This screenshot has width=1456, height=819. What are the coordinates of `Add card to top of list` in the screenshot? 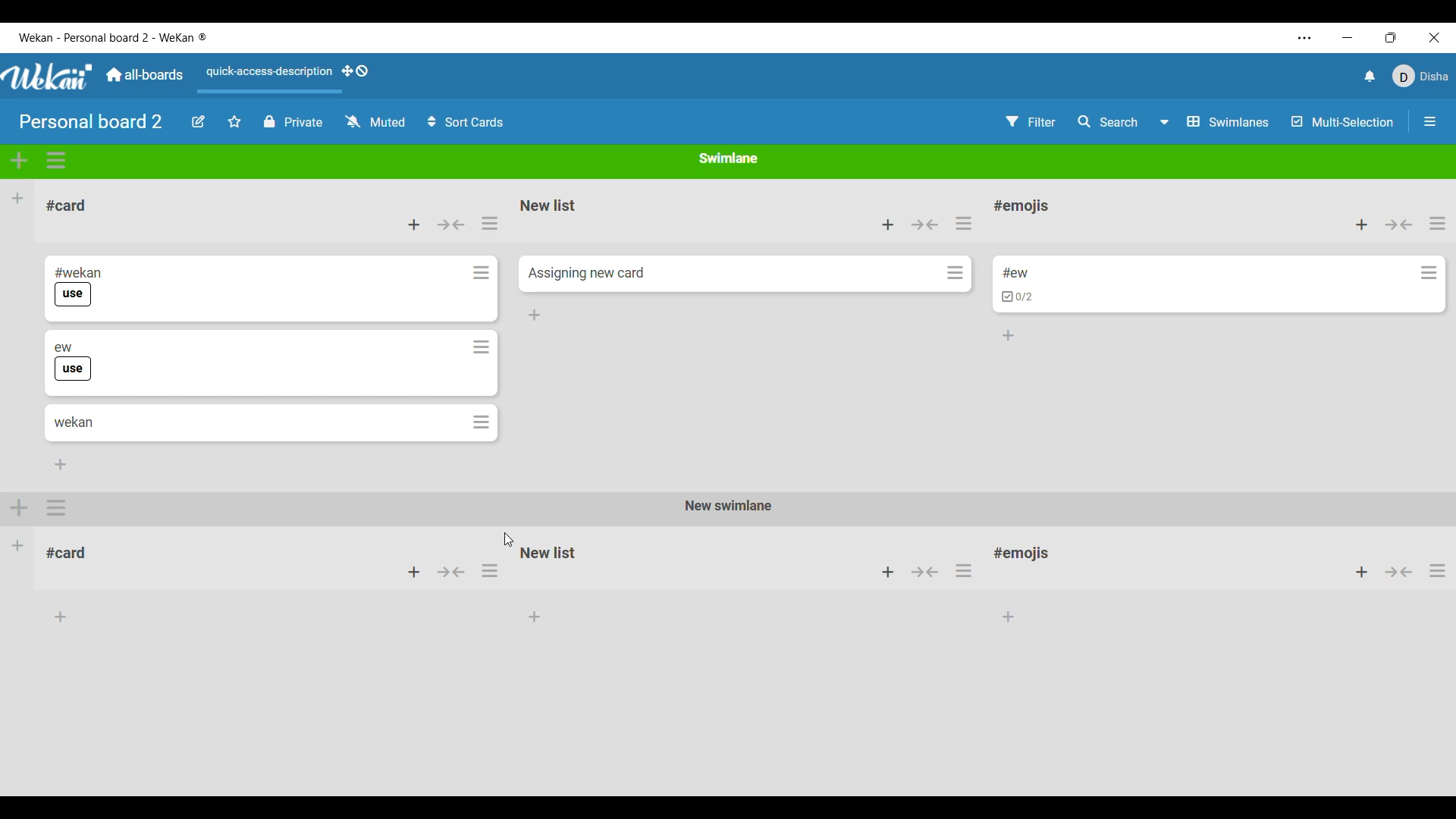 It's located at (888, 224).